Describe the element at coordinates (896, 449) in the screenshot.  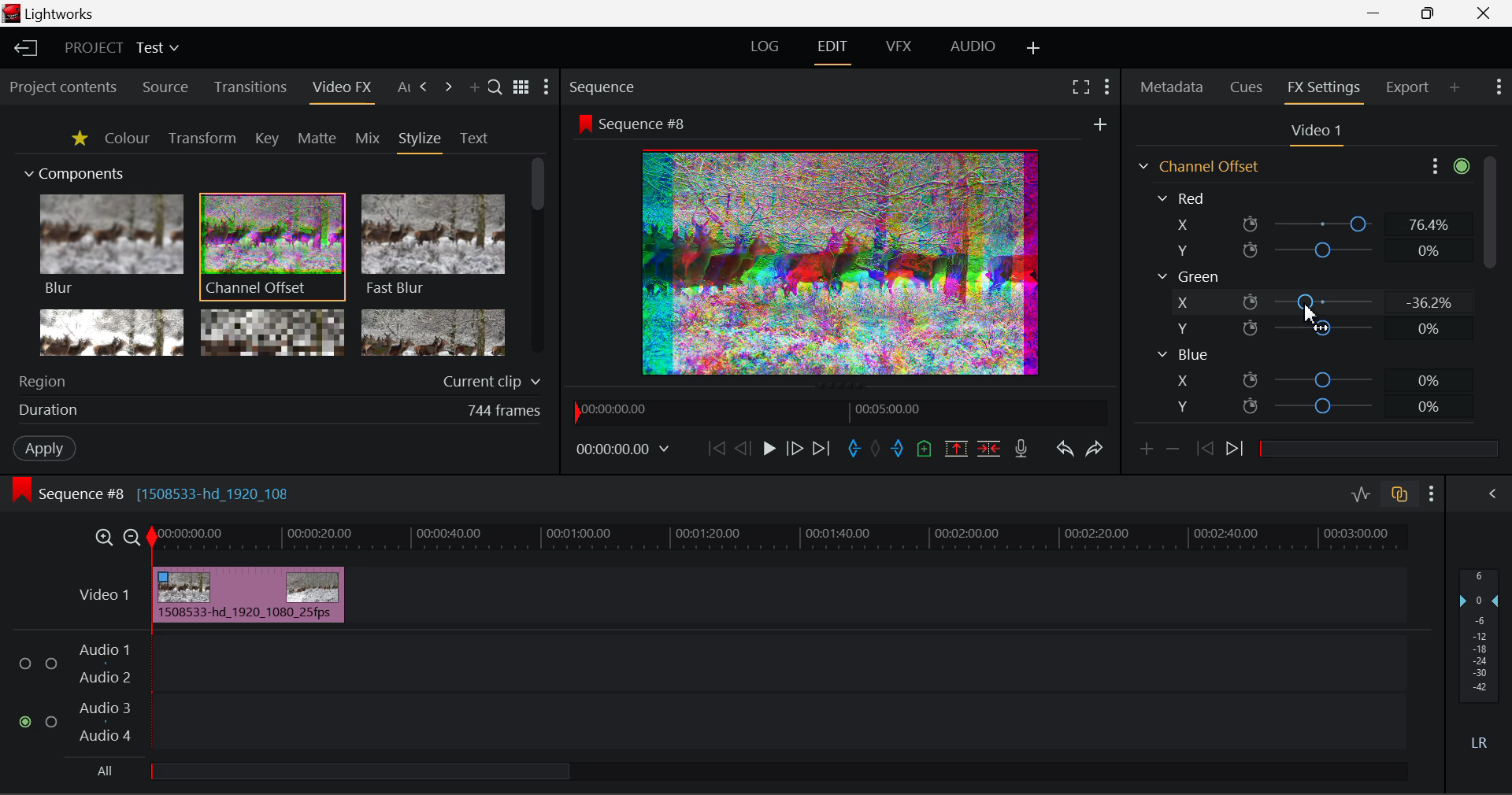
I see `Mark Out` at that location.